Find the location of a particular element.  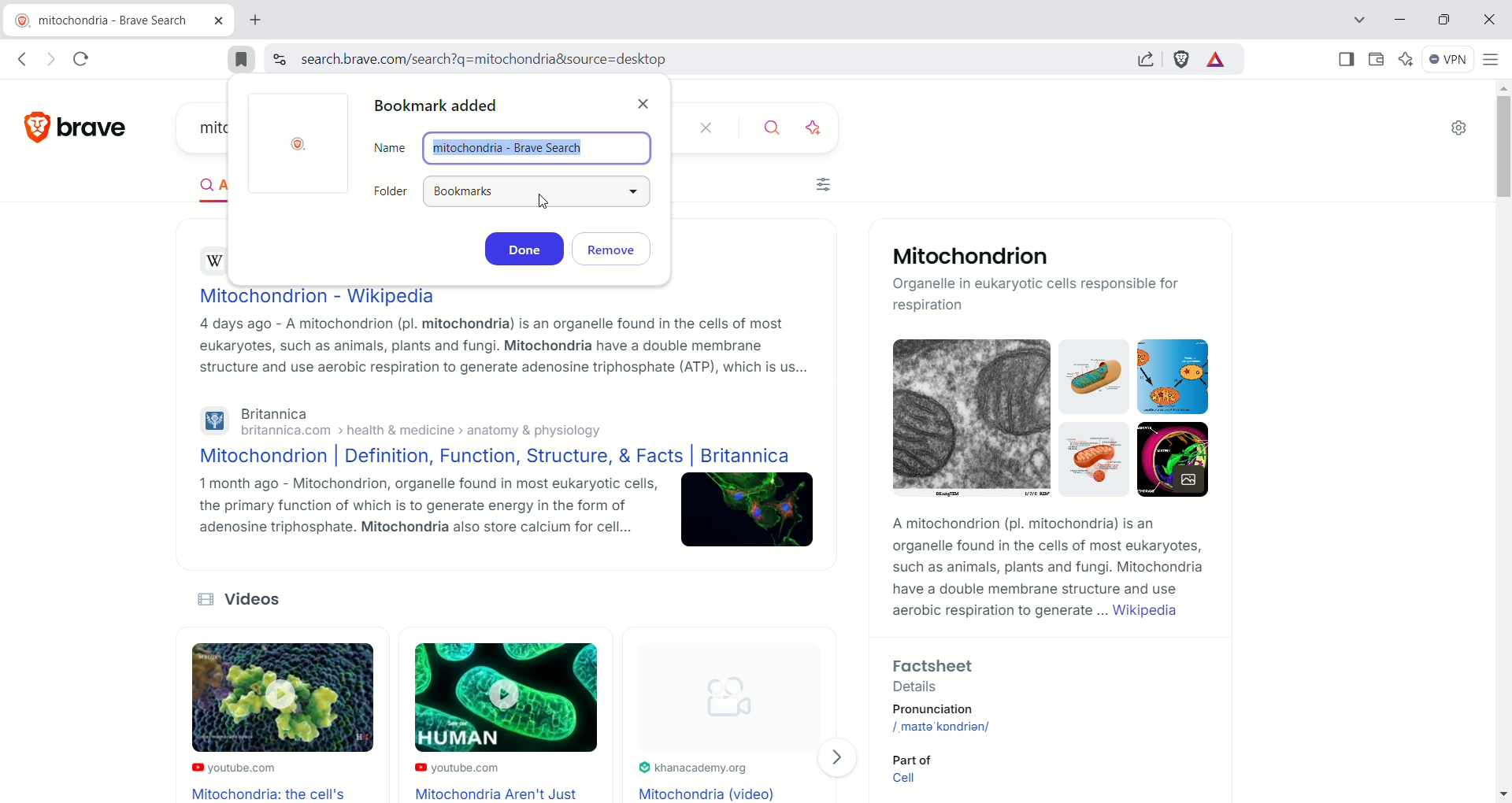

go back is located at coordinates (20, 59).